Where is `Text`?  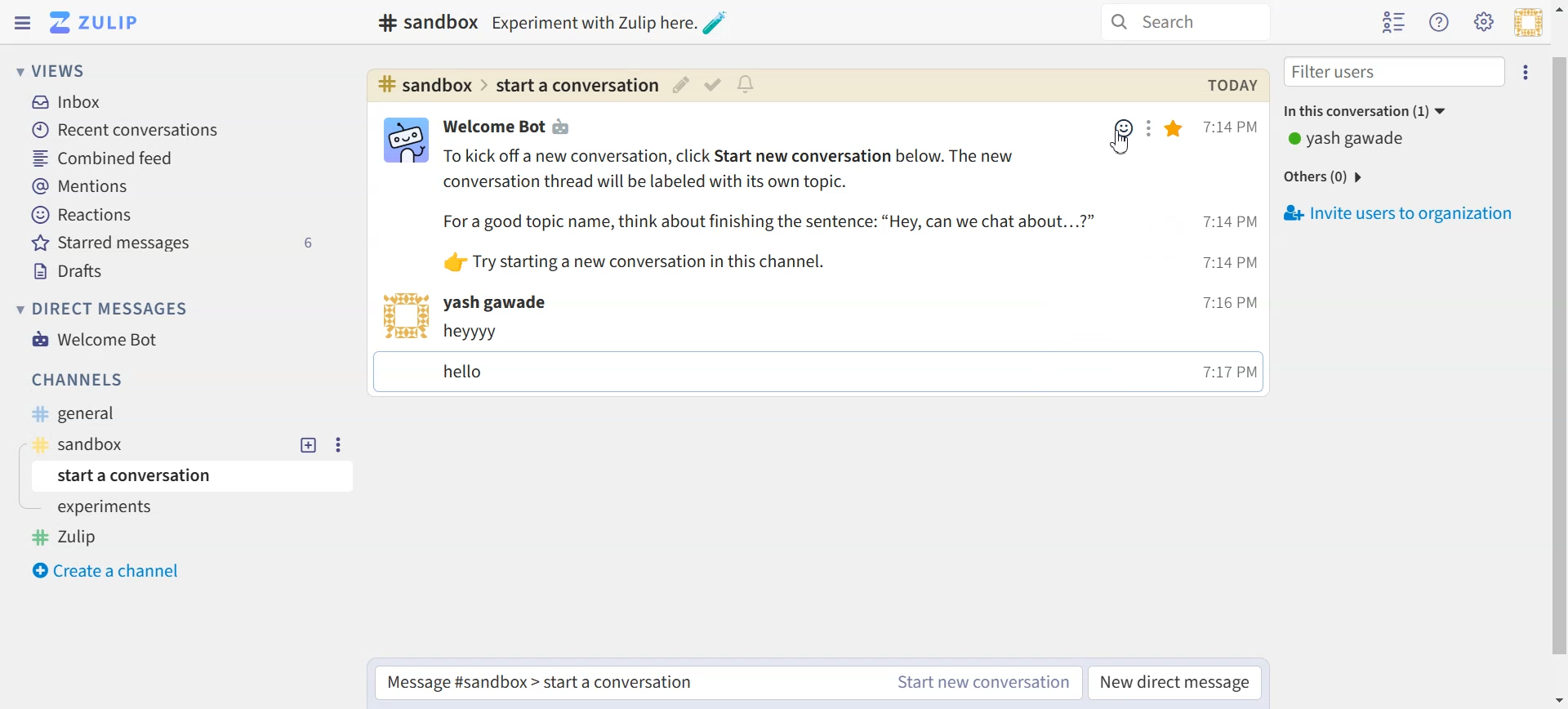
Text is located at coordinates (769, 211).